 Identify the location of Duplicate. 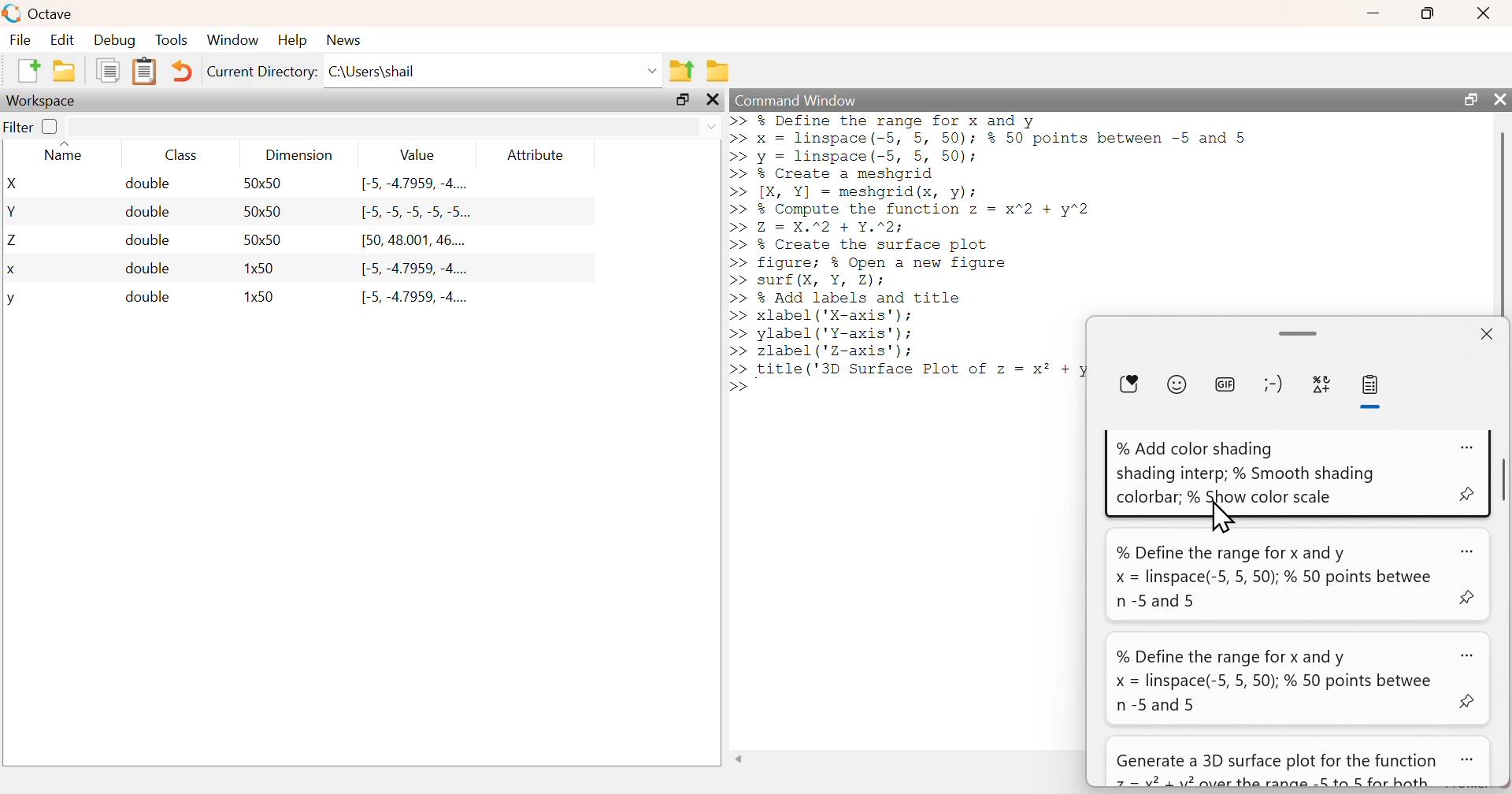
(109, 70).